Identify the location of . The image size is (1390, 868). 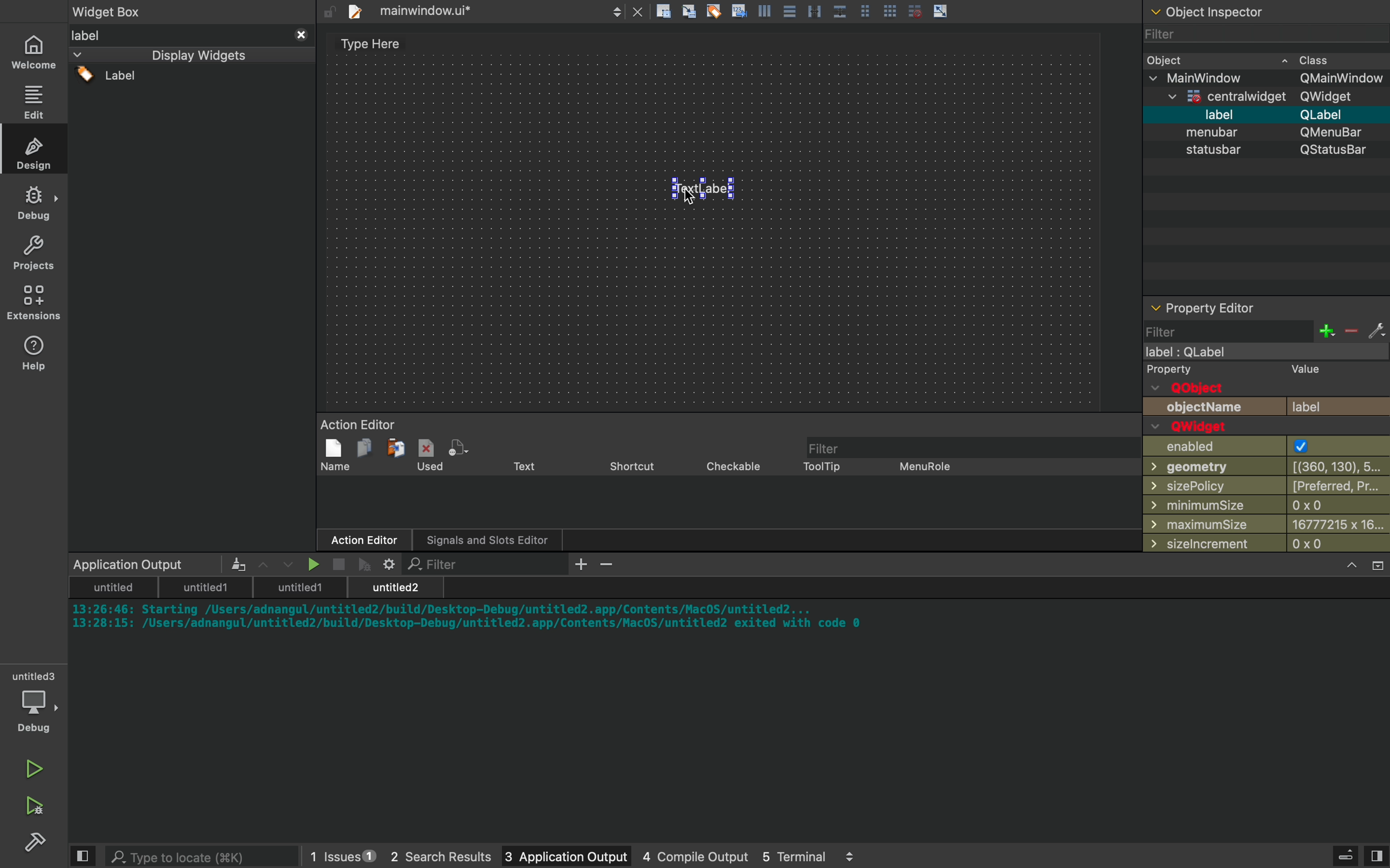
(1360, 855).